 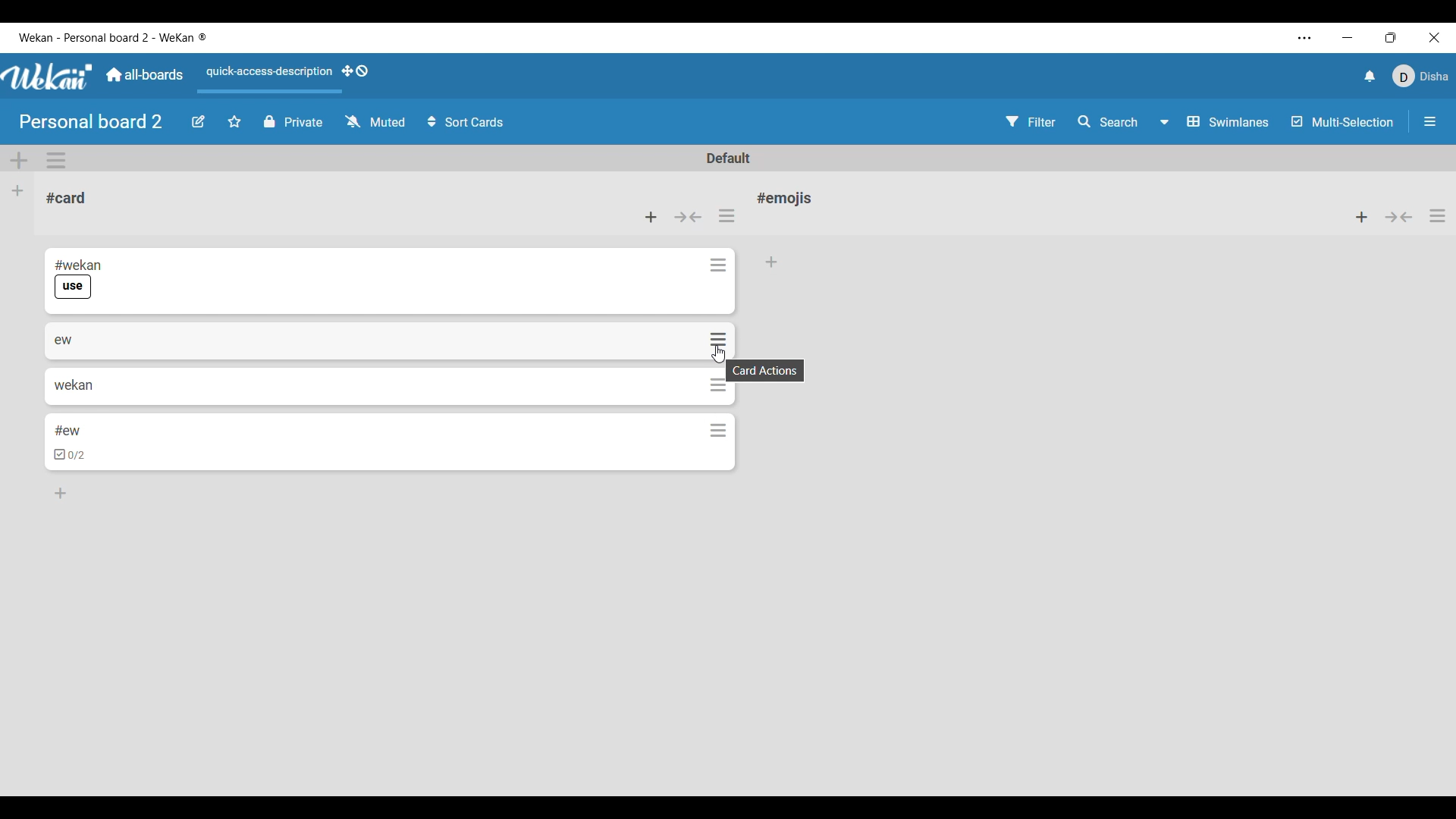 What do you see at coordinates (64, 339) in the screenshot?
I see `ew` at bounding box center [64, 339].